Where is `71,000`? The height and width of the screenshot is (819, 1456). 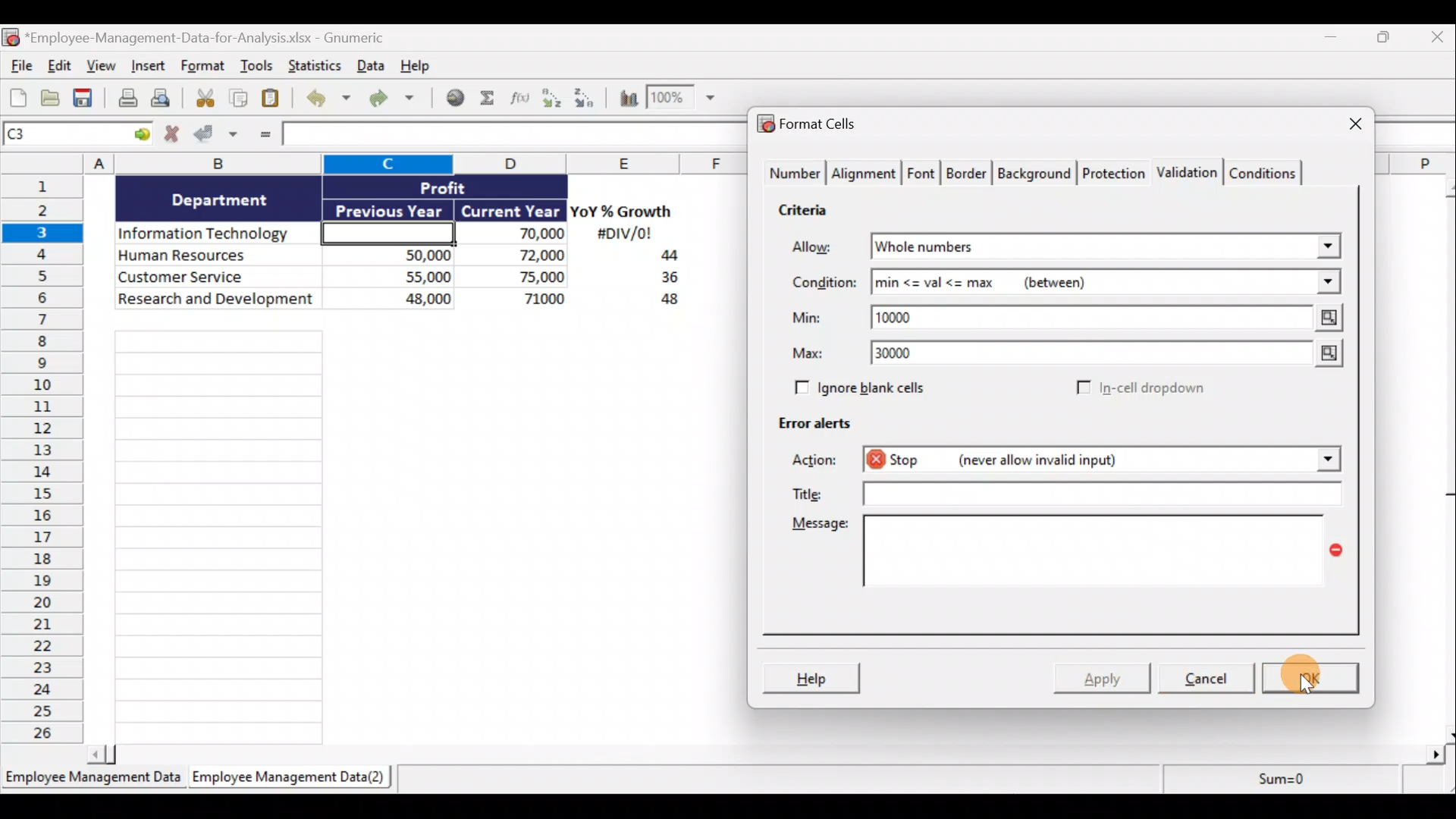
71,000 is located at coordinates (522, 300).